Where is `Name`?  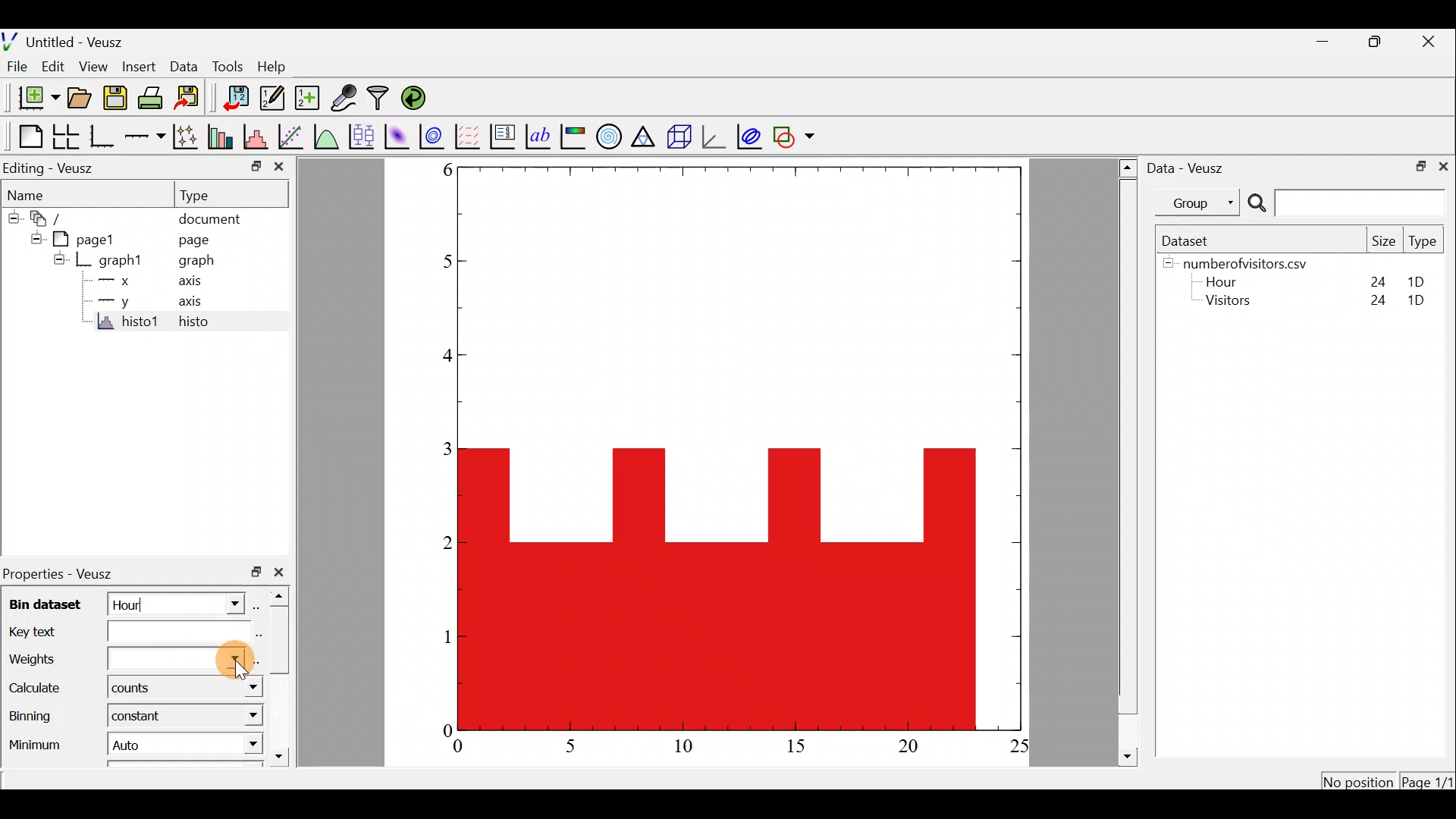 Name is located at coordinates (30, 192).